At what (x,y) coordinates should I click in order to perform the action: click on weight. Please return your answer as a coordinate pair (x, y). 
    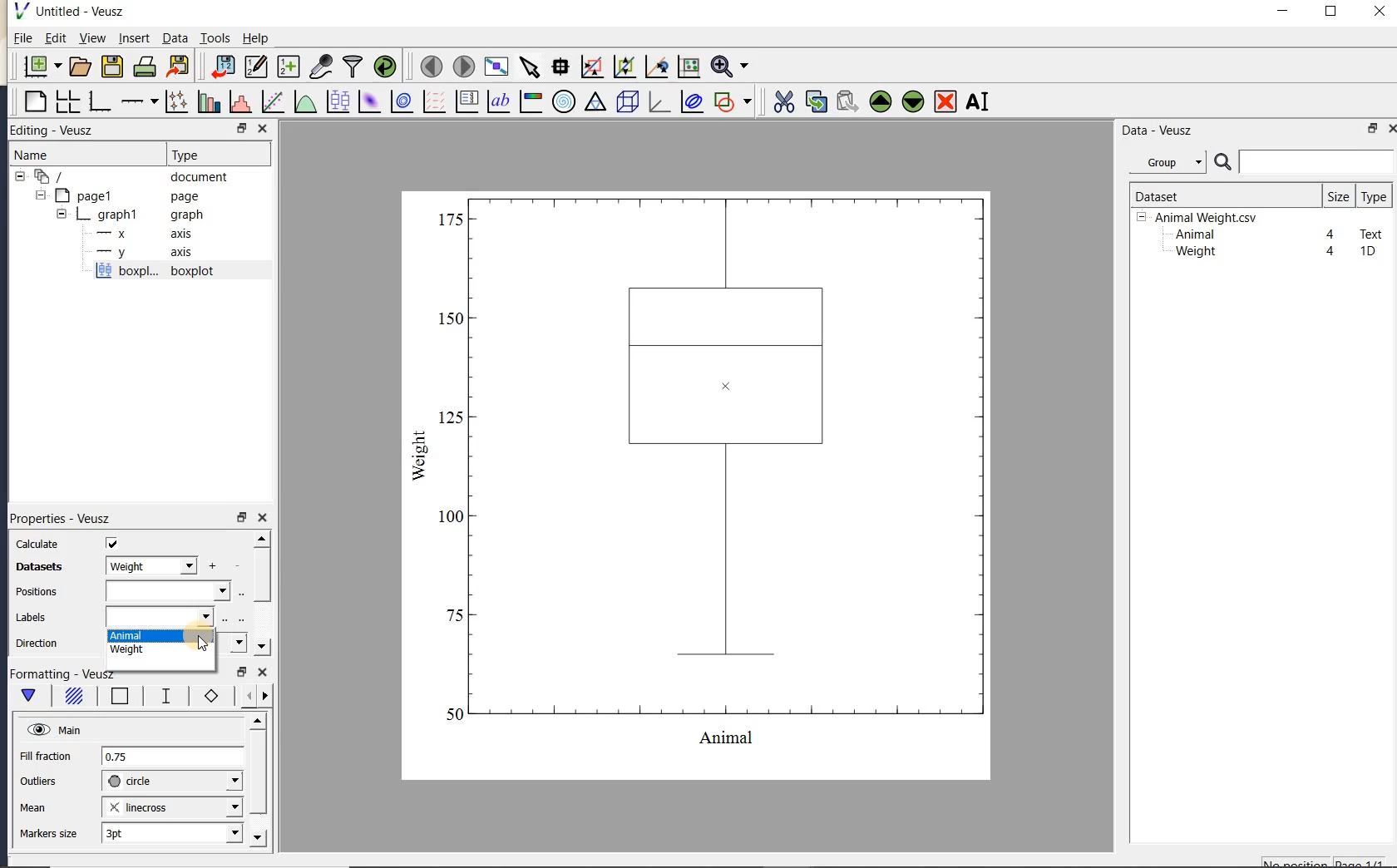
    Looking at the image, I should click on (160, 652).